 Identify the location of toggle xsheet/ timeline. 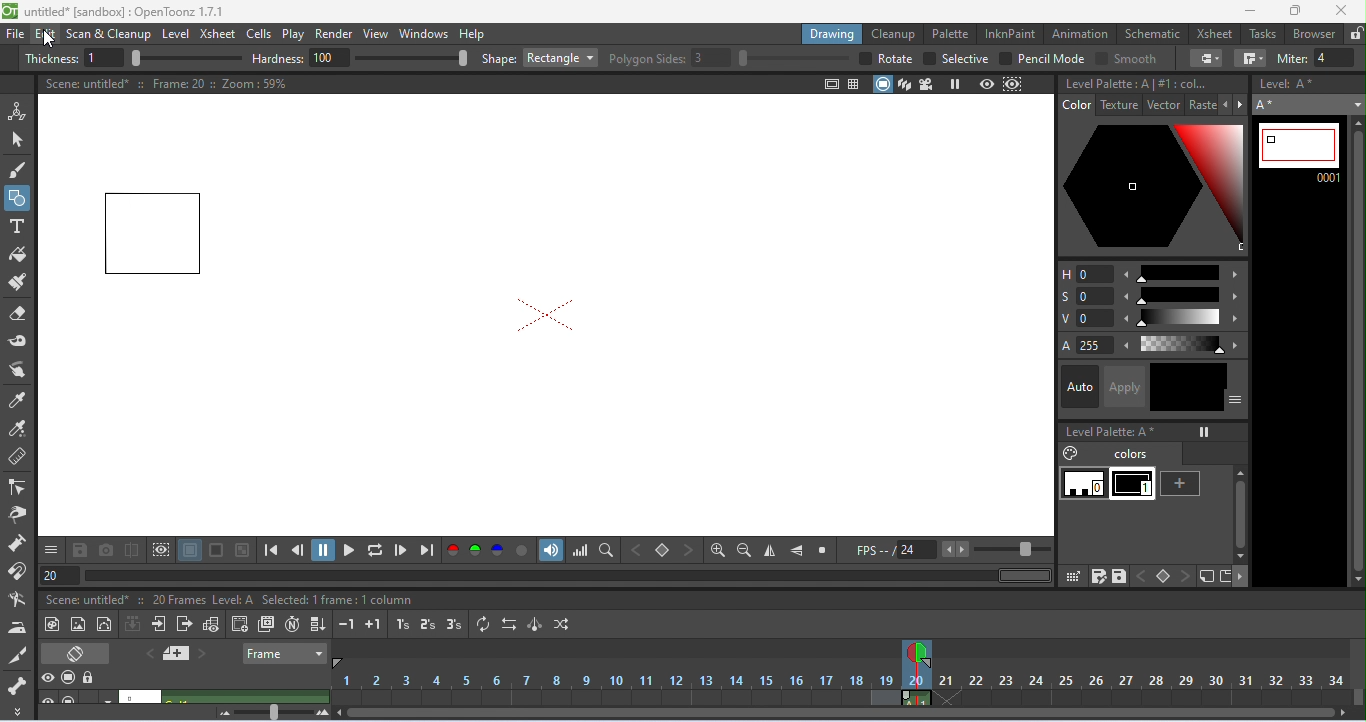
(74, 655).